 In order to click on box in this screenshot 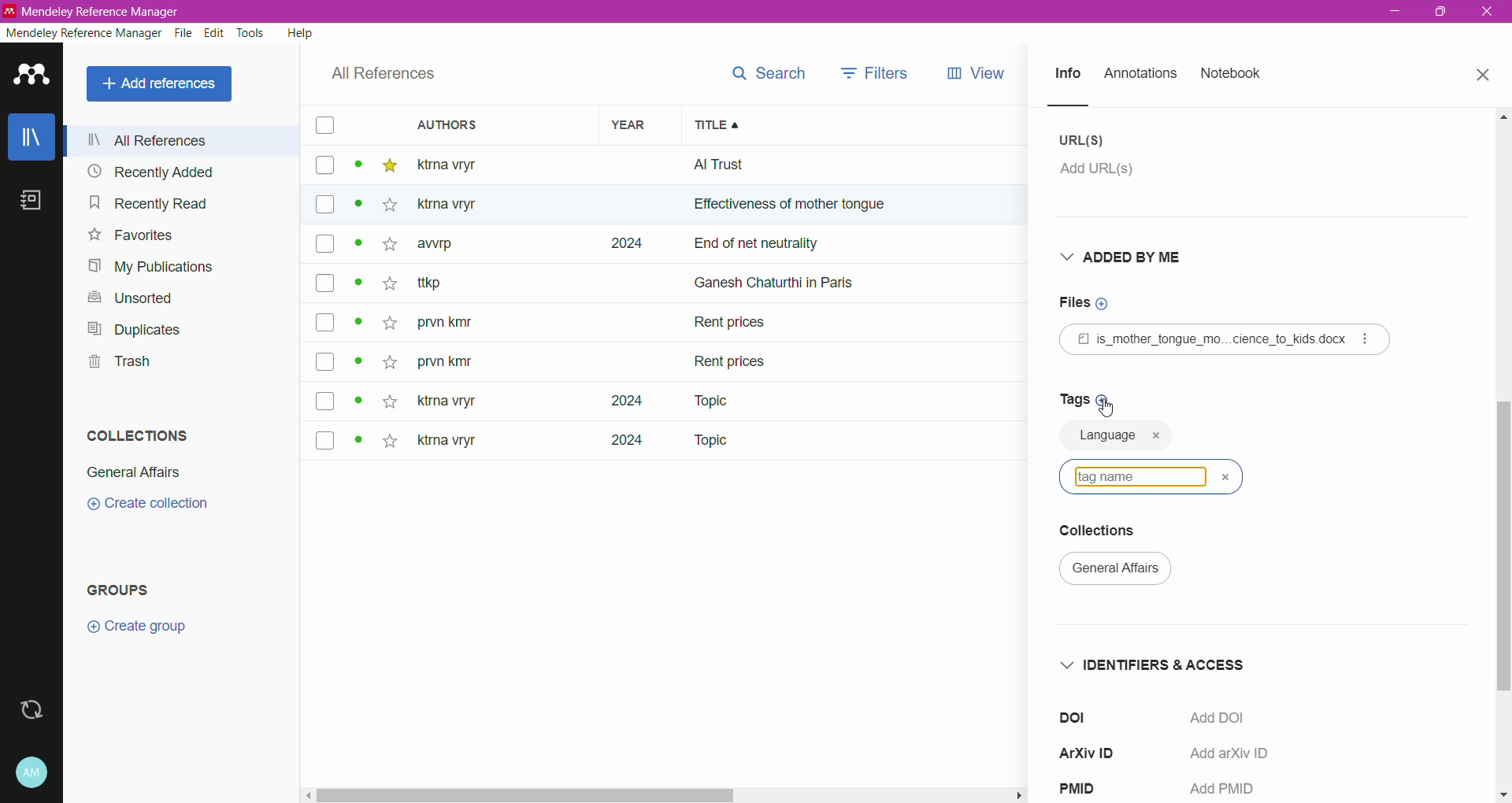, I will do `click(325, 322)`.